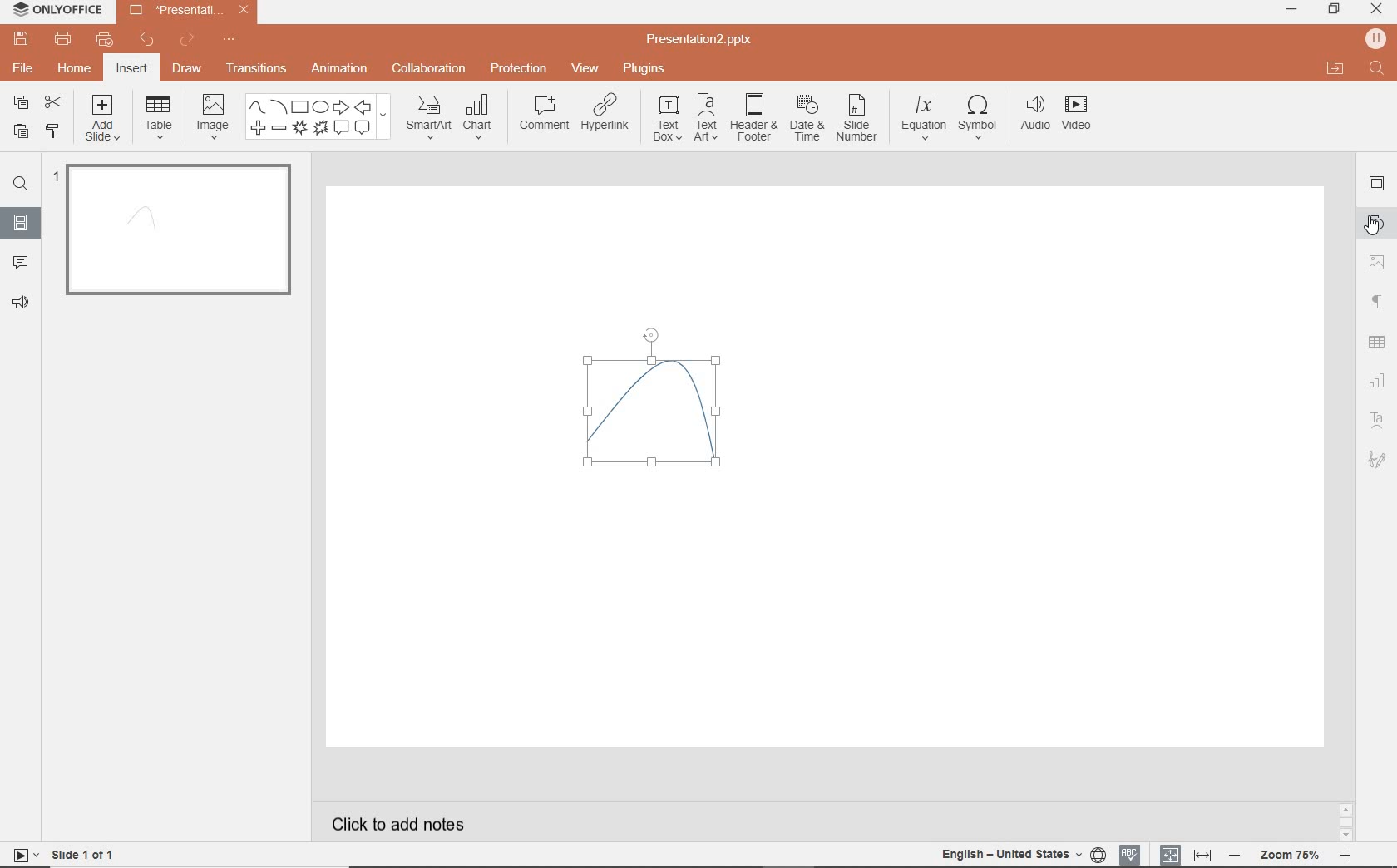 The width and height of the screenshot is (1397, 868). What do you see at coordinates (58, 11) in the screenshot?
I see `ONLYOFFICE` at bounding box center [58, 11].